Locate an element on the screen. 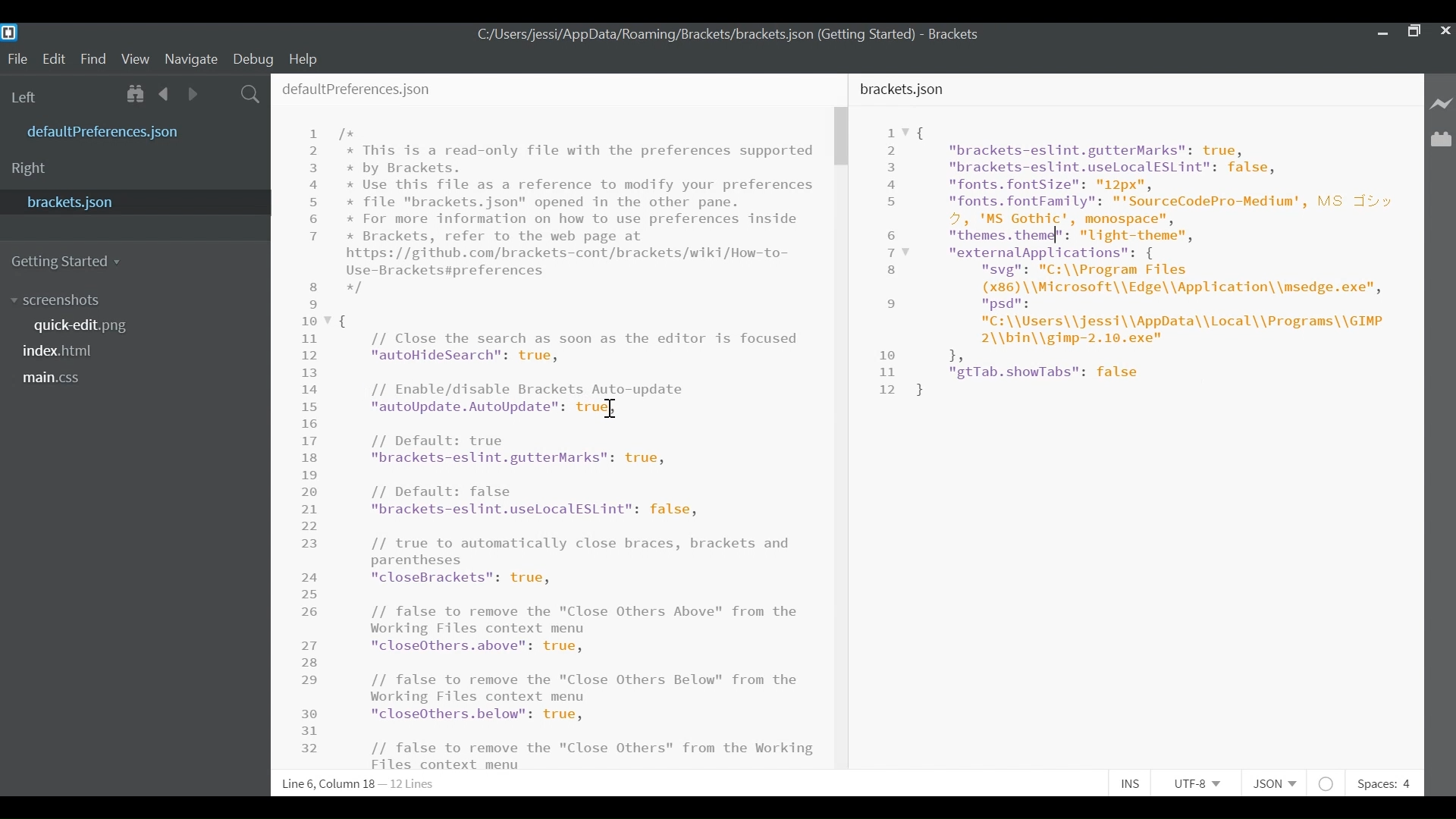 The height and width of the screenshot is (819, 1456). bracket.json File Editor is located at coordinates (1136, 423).